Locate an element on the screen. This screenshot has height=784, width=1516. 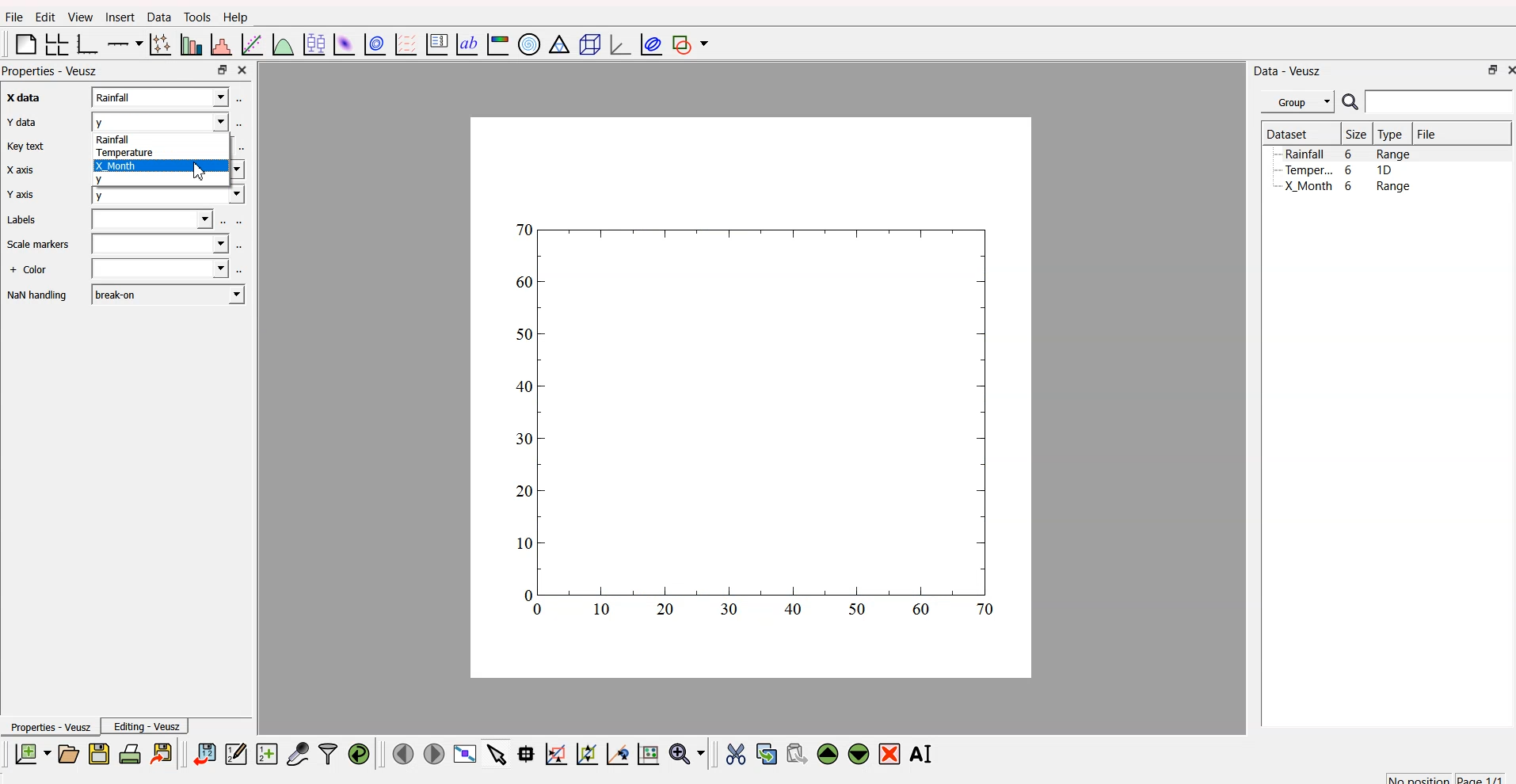
x axis is located at coordinates (19, 99).